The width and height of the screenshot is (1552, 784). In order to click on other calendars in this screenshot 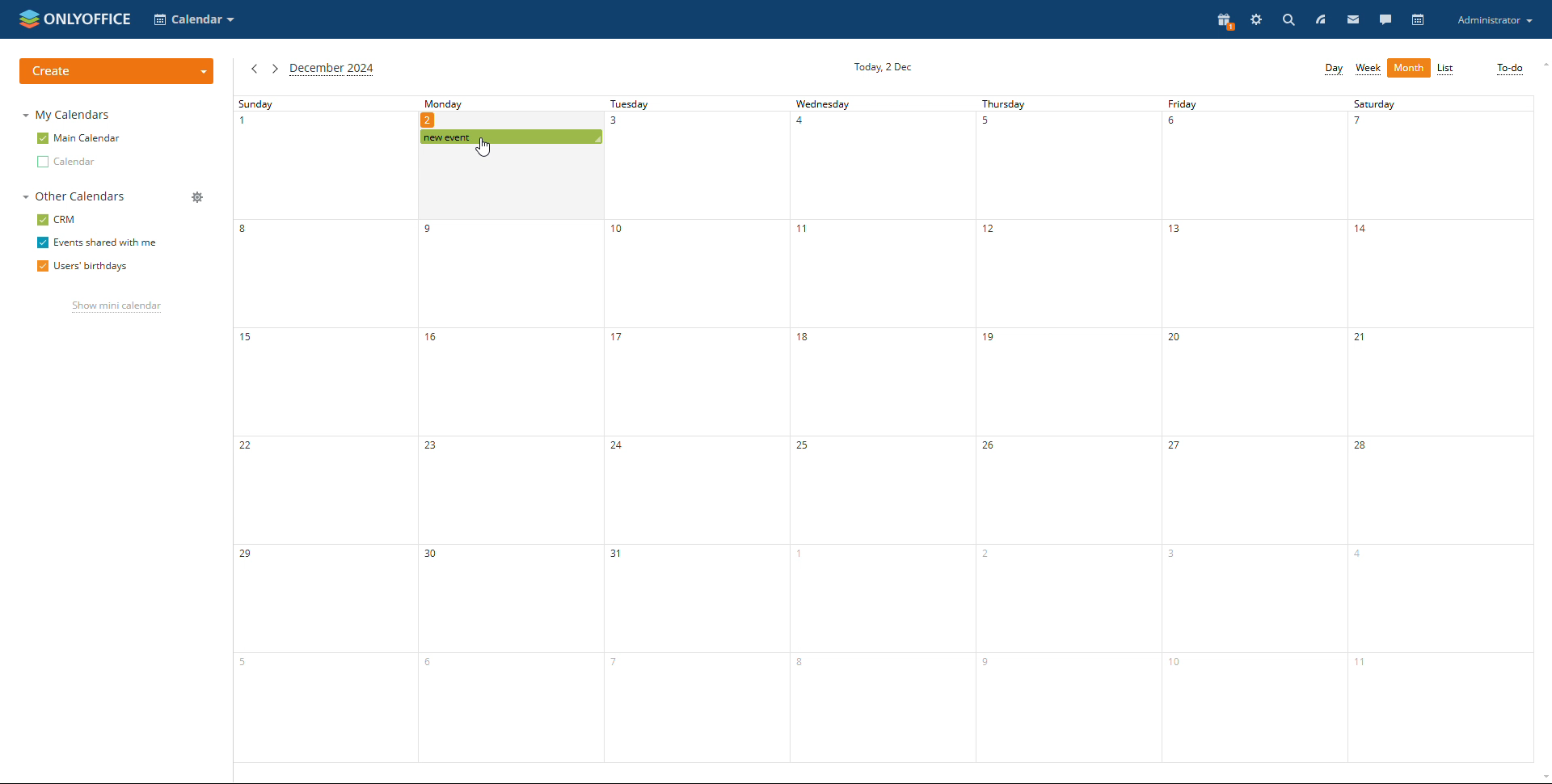, I will do `click(74, 196)`.